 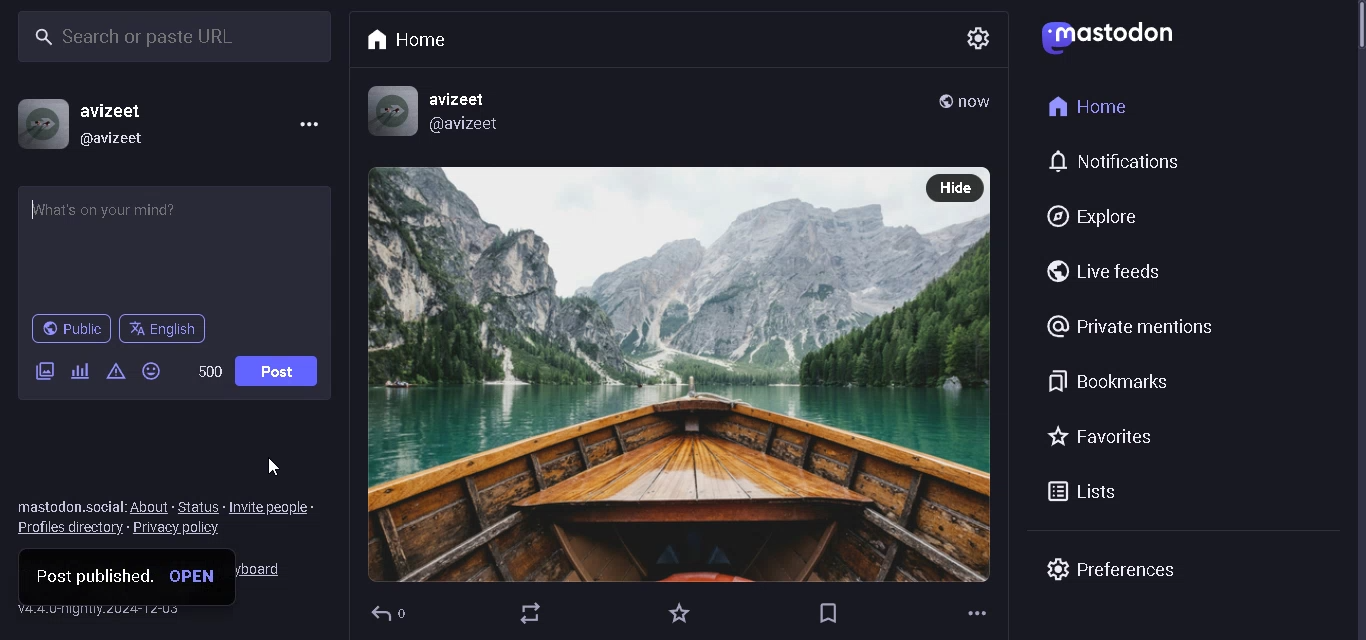 I want to click on favorite, so click(x=676, y=612).